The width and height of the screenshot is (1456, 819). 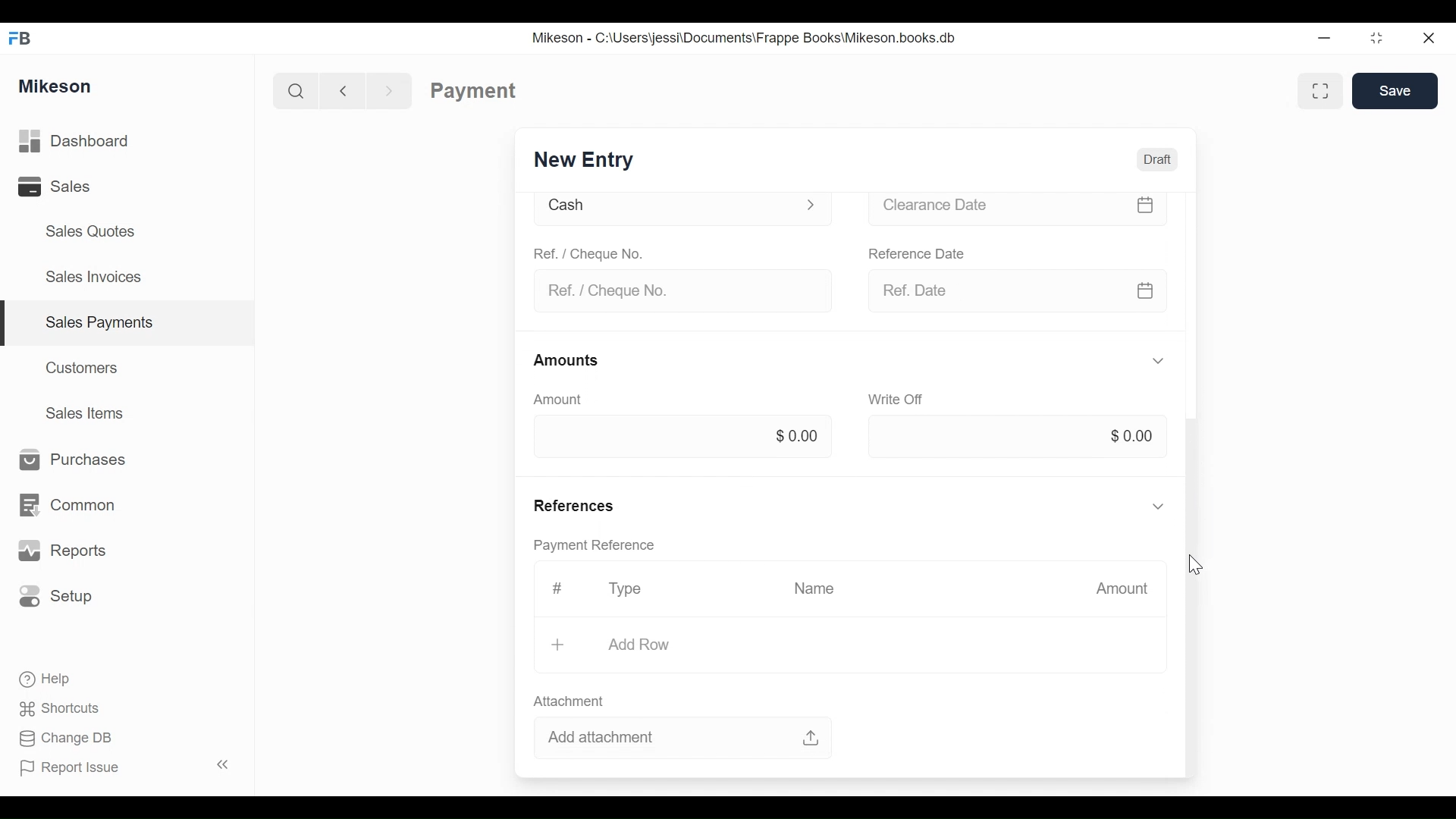 I want to click on Help, so click(x=56, y=679).